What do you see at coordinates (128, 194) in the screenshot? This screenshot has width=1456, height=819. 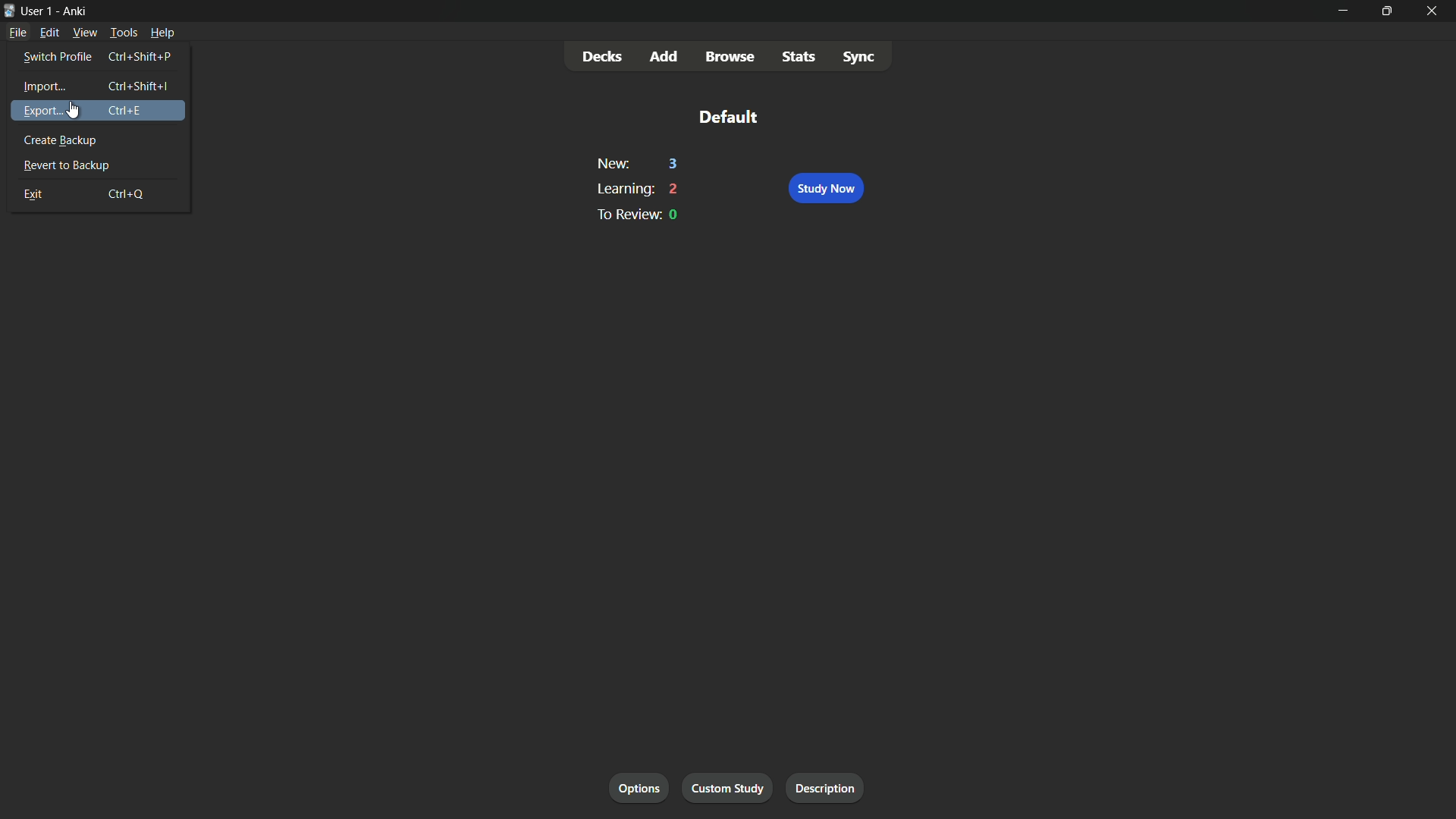 I see `keyboard shortcut` at bounding box center [128, 194].